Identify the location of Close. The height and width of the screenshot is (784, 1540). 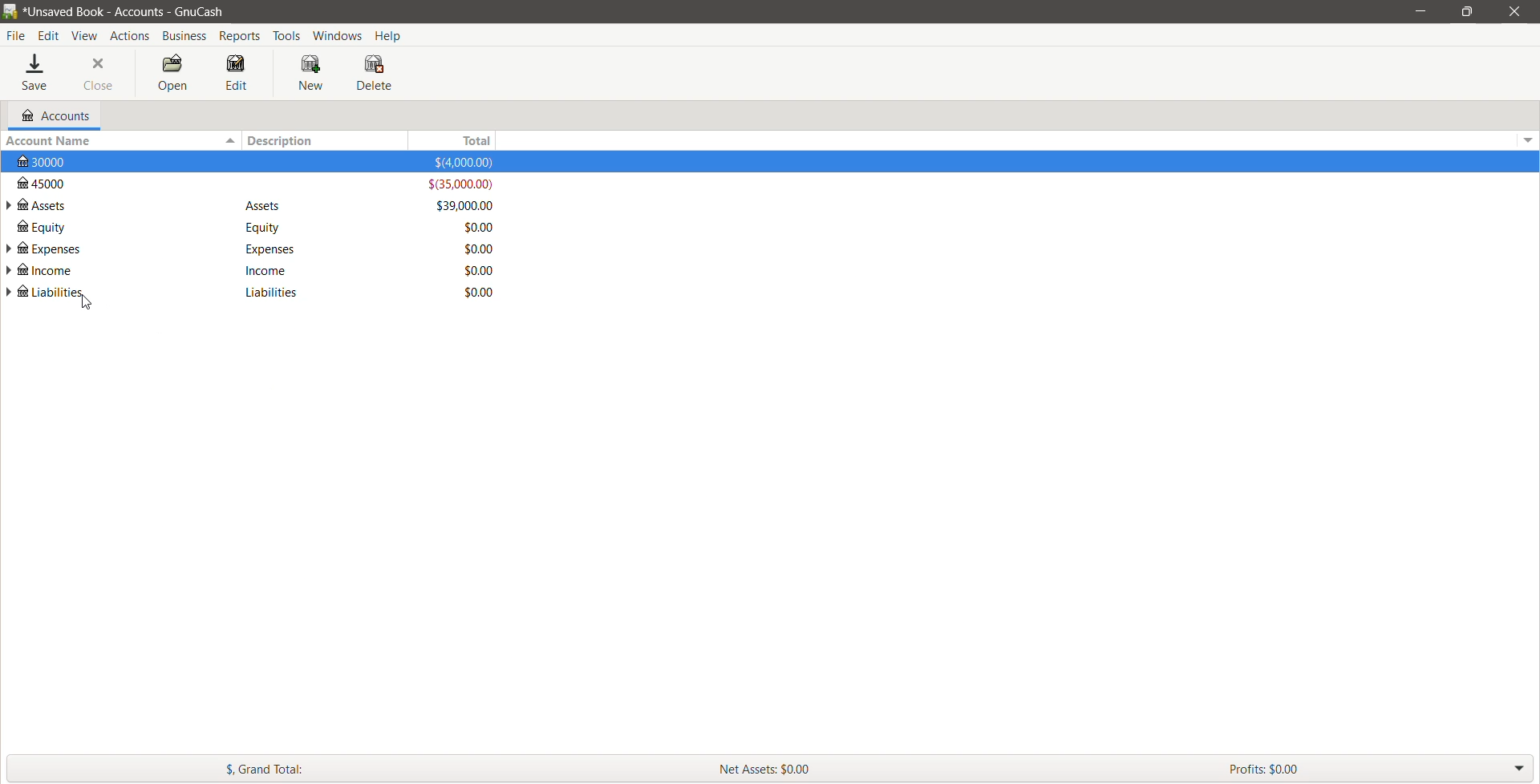
(99, 74).